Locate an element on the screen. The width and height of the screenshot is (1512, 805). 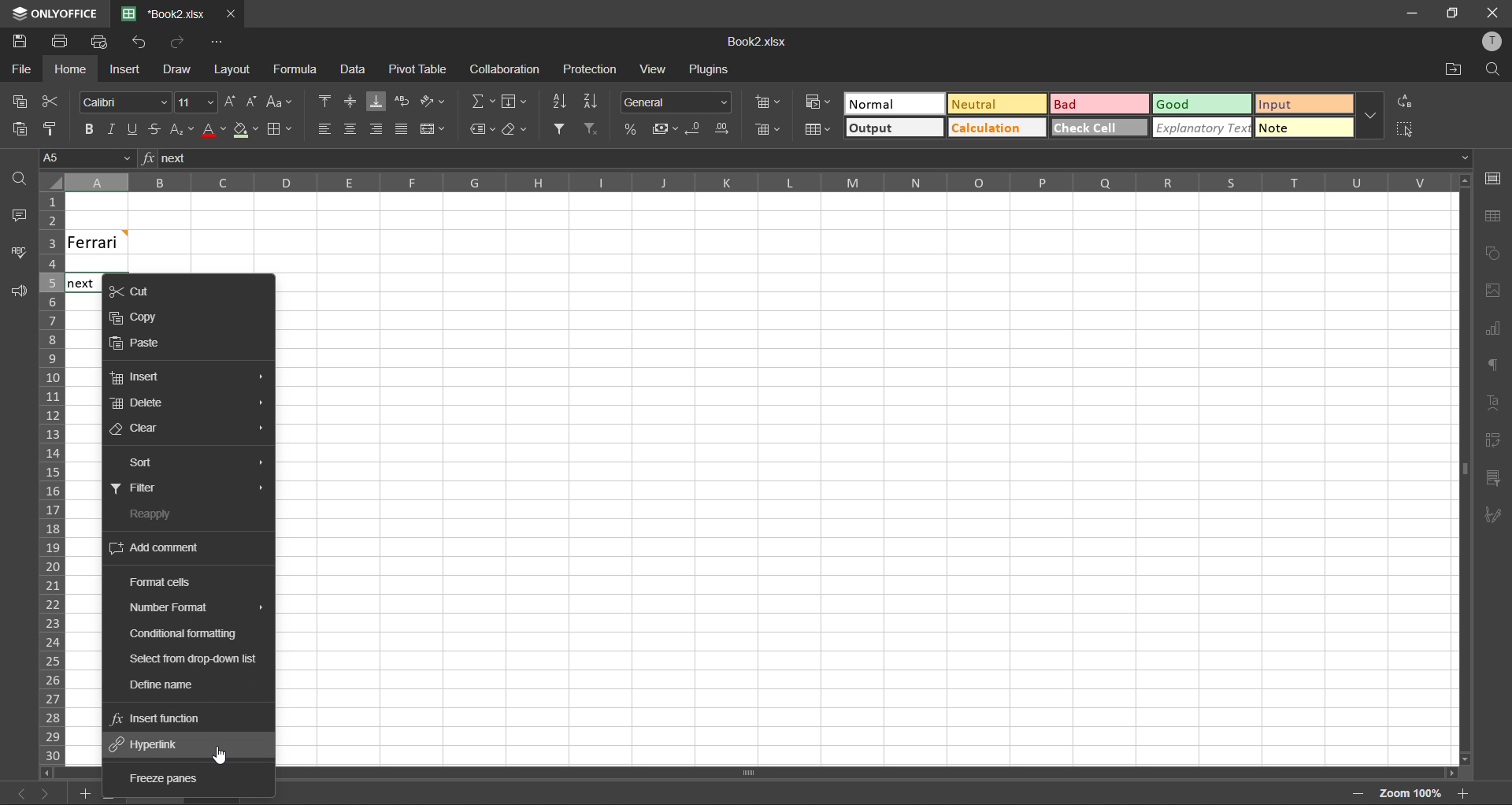
number format is located at coordinates (677, 102).